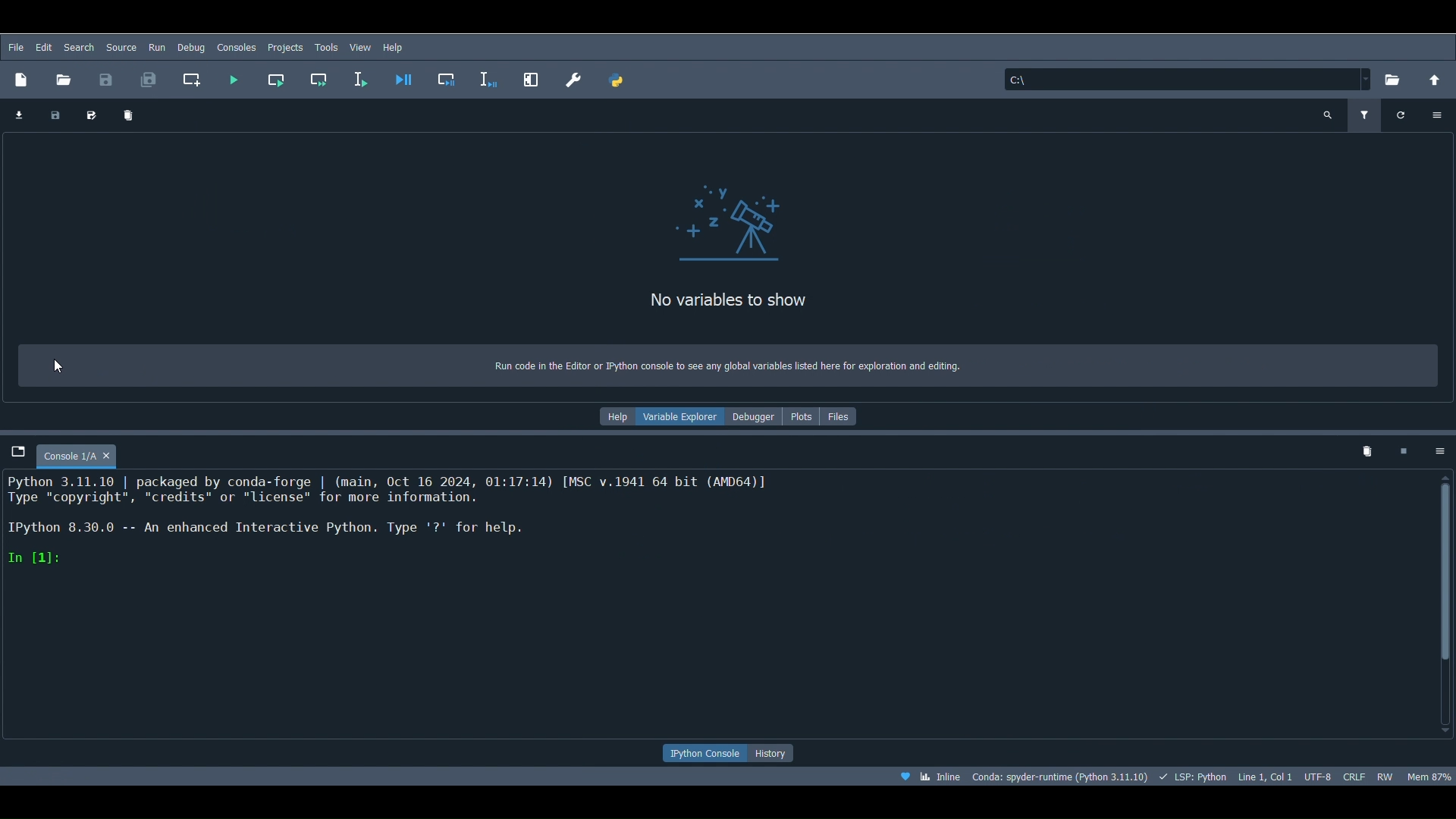 The height and width of the screenshot is (819, 1456). Describe the element at coordinates (618, 79) in the screenshot. I see `PYTHONPATH manager` at that location.